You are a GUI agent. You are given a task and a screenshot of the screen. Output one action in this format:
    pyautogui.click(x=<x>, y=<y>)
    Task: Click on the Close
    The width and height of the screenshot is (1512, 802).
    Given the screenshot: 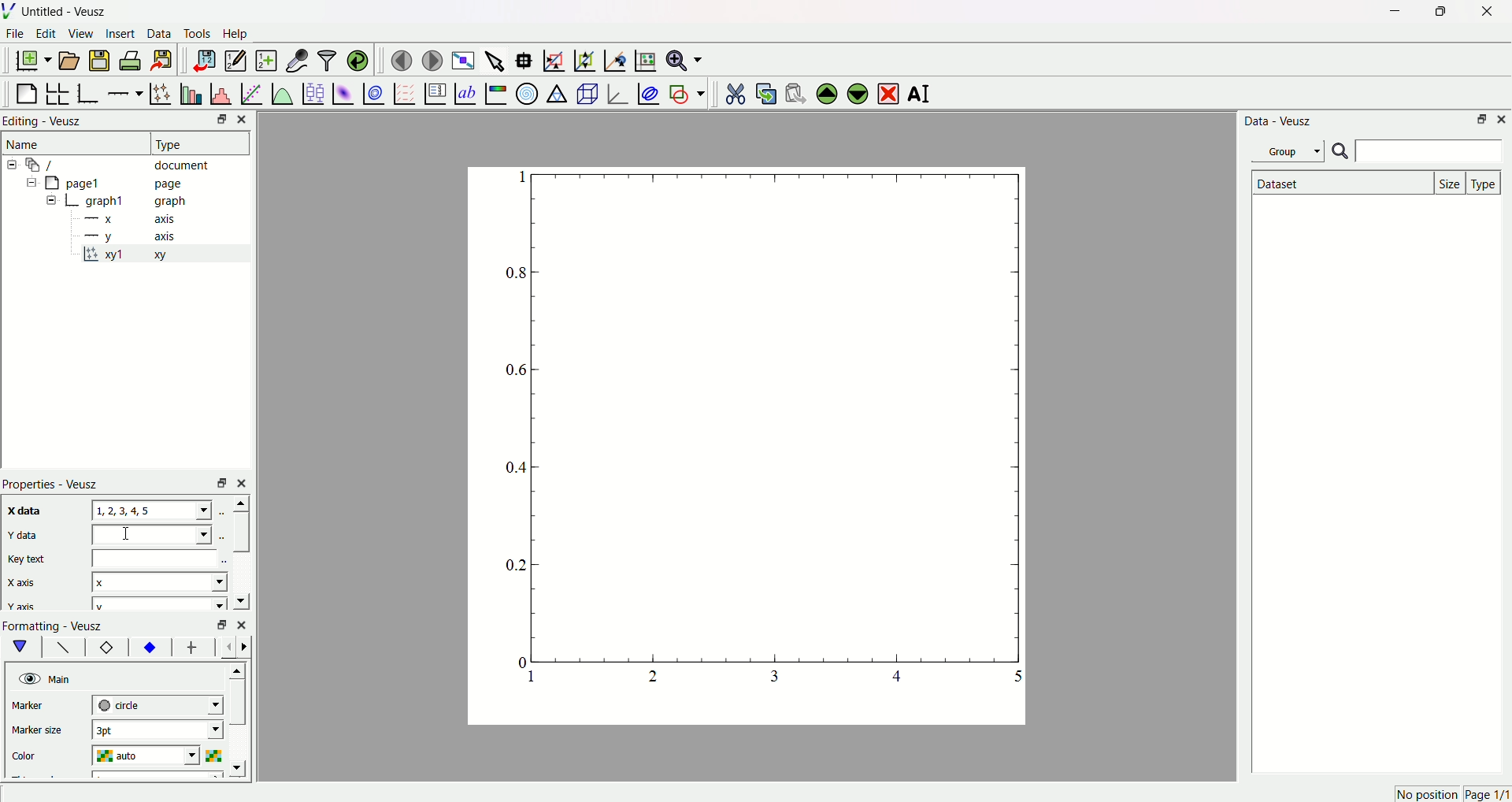 What is the action you would take?
    pyautogui.click(x=1481, y=13)
    